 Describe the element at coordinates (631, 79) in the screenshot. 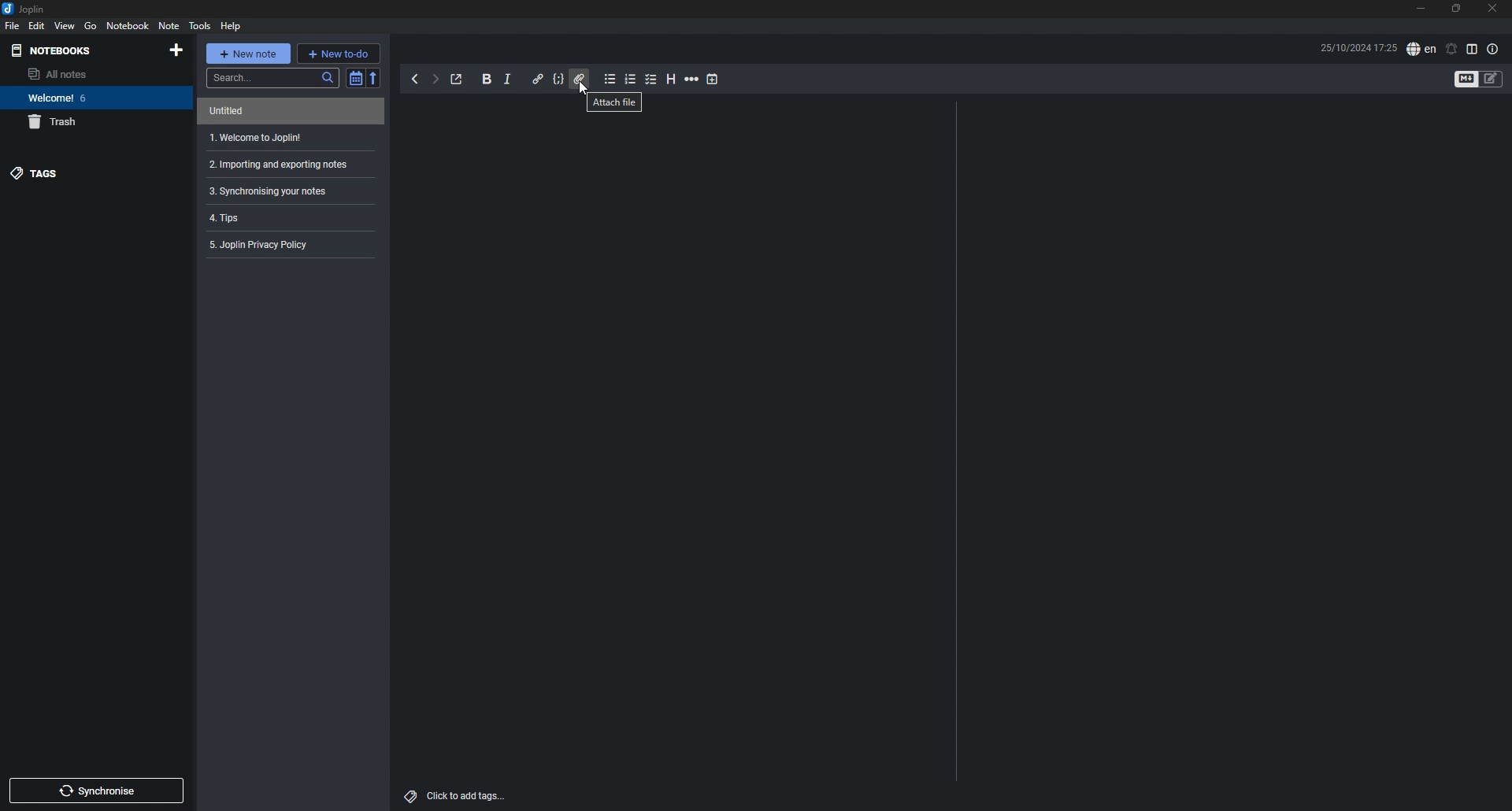

I see `numbered list` at that location.